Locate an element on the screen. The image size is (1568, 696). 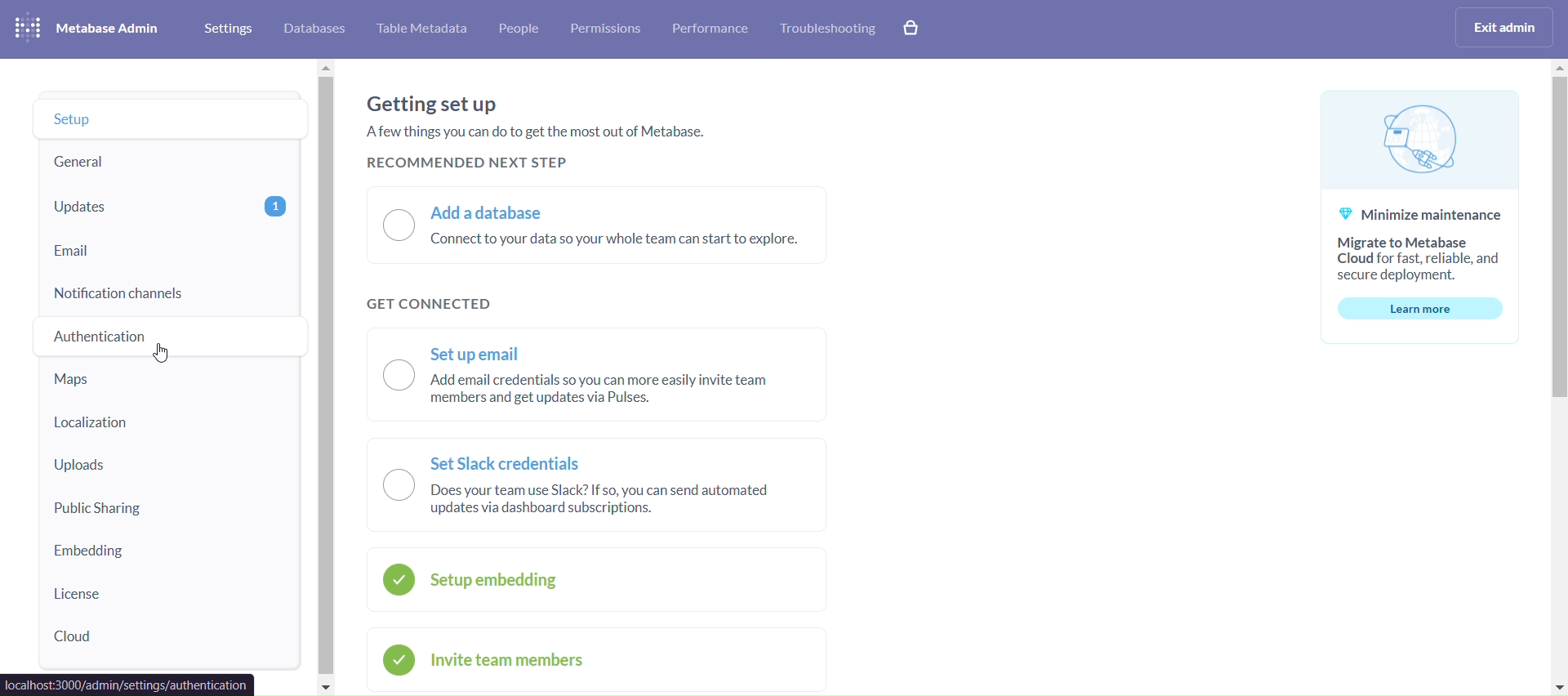
invite team members is located at coordinates (601, 661).